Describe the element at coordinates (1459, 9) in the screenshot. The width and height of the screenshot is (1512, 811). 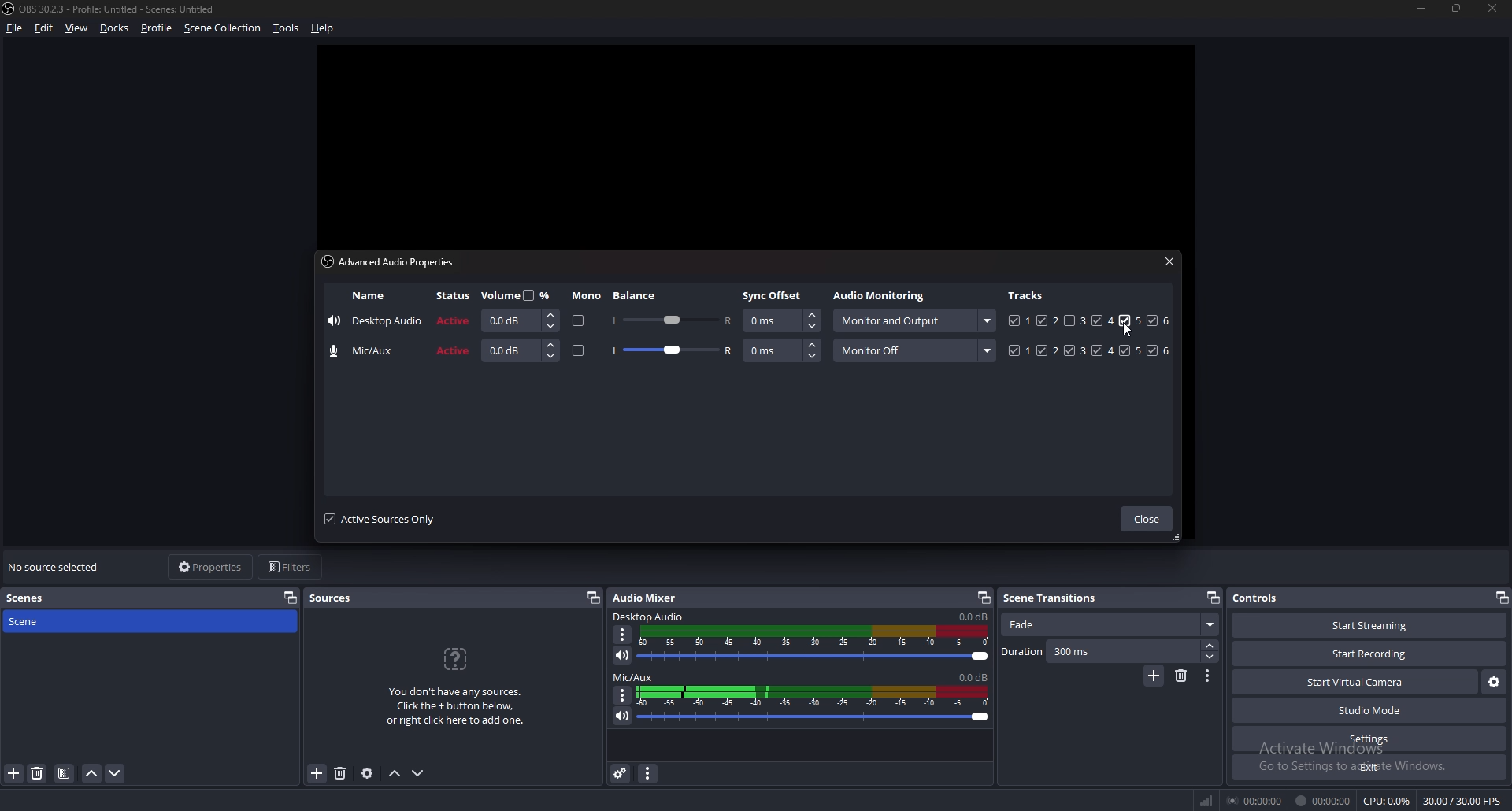
I see `resize` at that location.